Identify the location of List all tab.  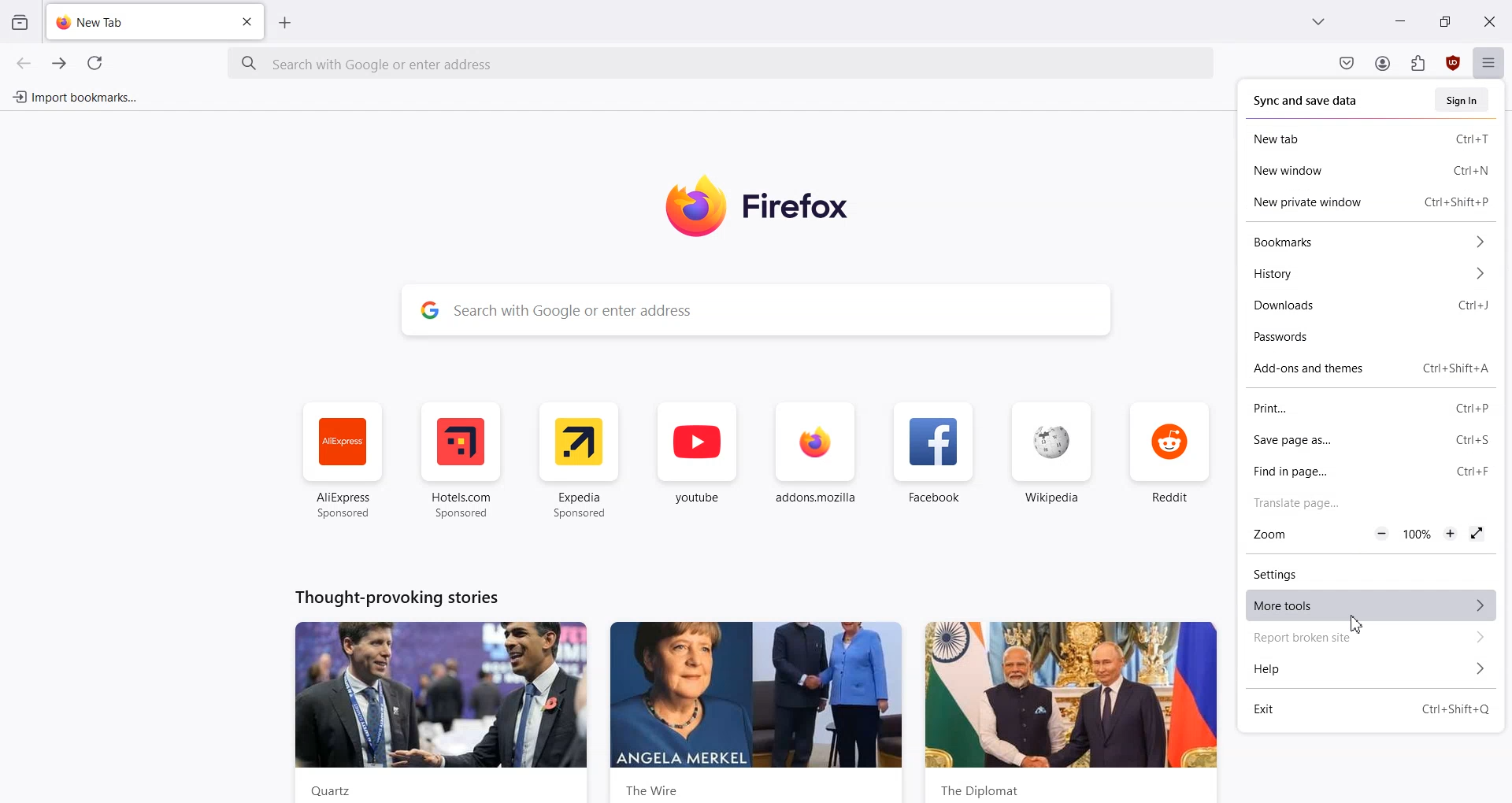
(1318, 20).